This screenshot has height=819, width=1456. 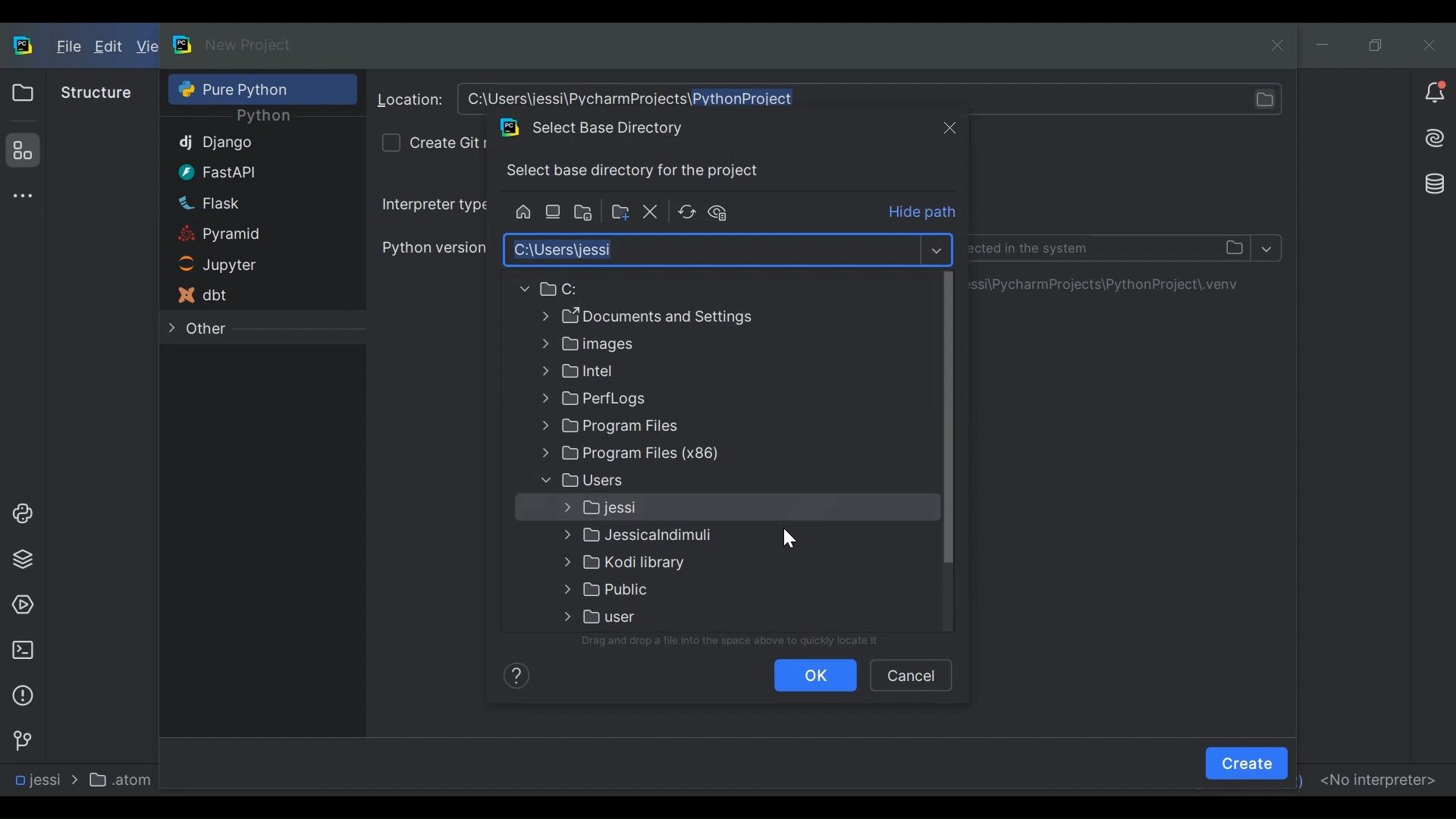 I want to click on Folder Path, so click(x=664, y=345).